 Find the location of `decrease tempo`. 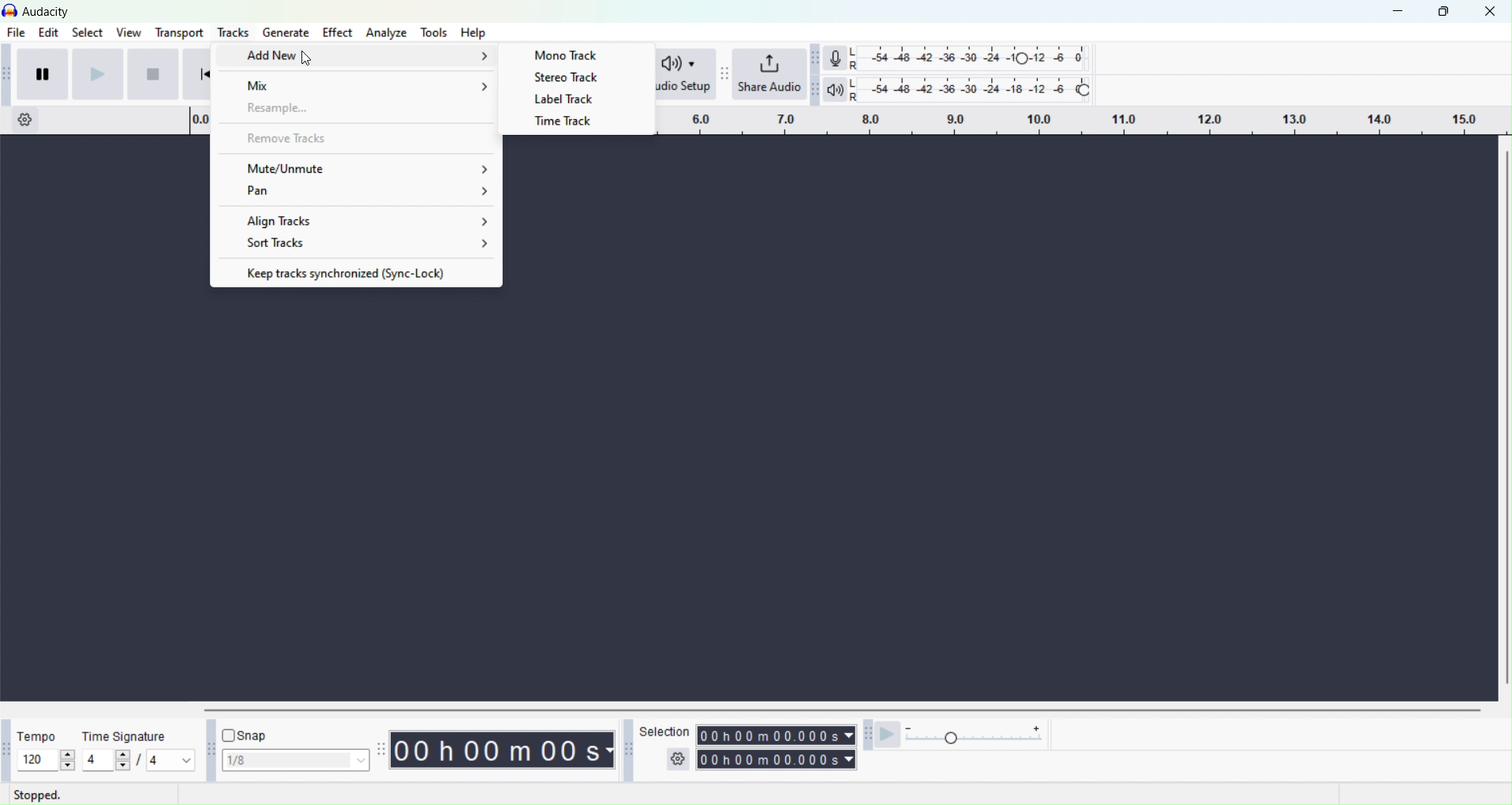

decrease tempo is located at coordinates (68, 767).